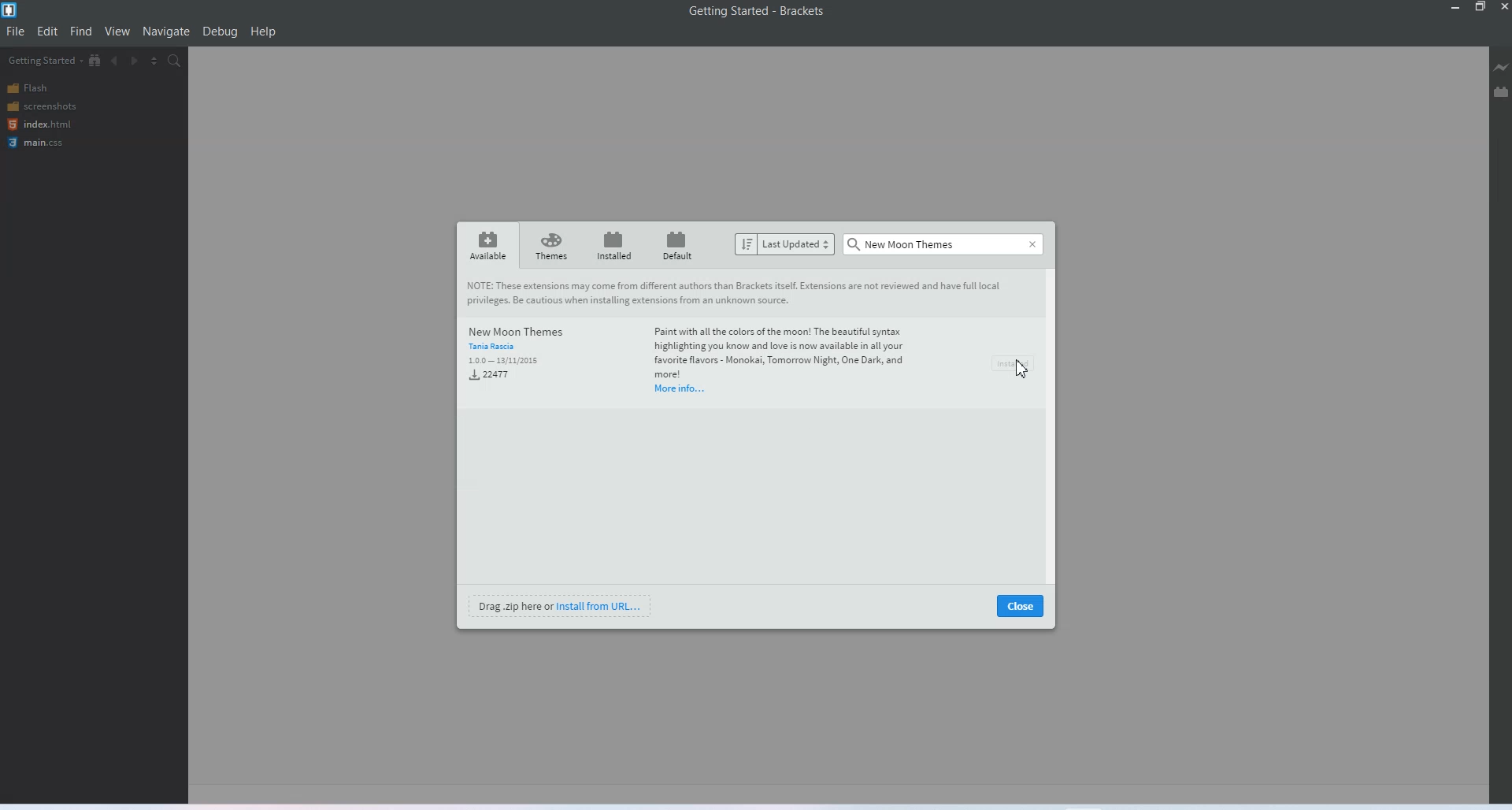 The height and width of the screenshot is (810, 1512). I want to click on Maximize, so click(1480, 9).